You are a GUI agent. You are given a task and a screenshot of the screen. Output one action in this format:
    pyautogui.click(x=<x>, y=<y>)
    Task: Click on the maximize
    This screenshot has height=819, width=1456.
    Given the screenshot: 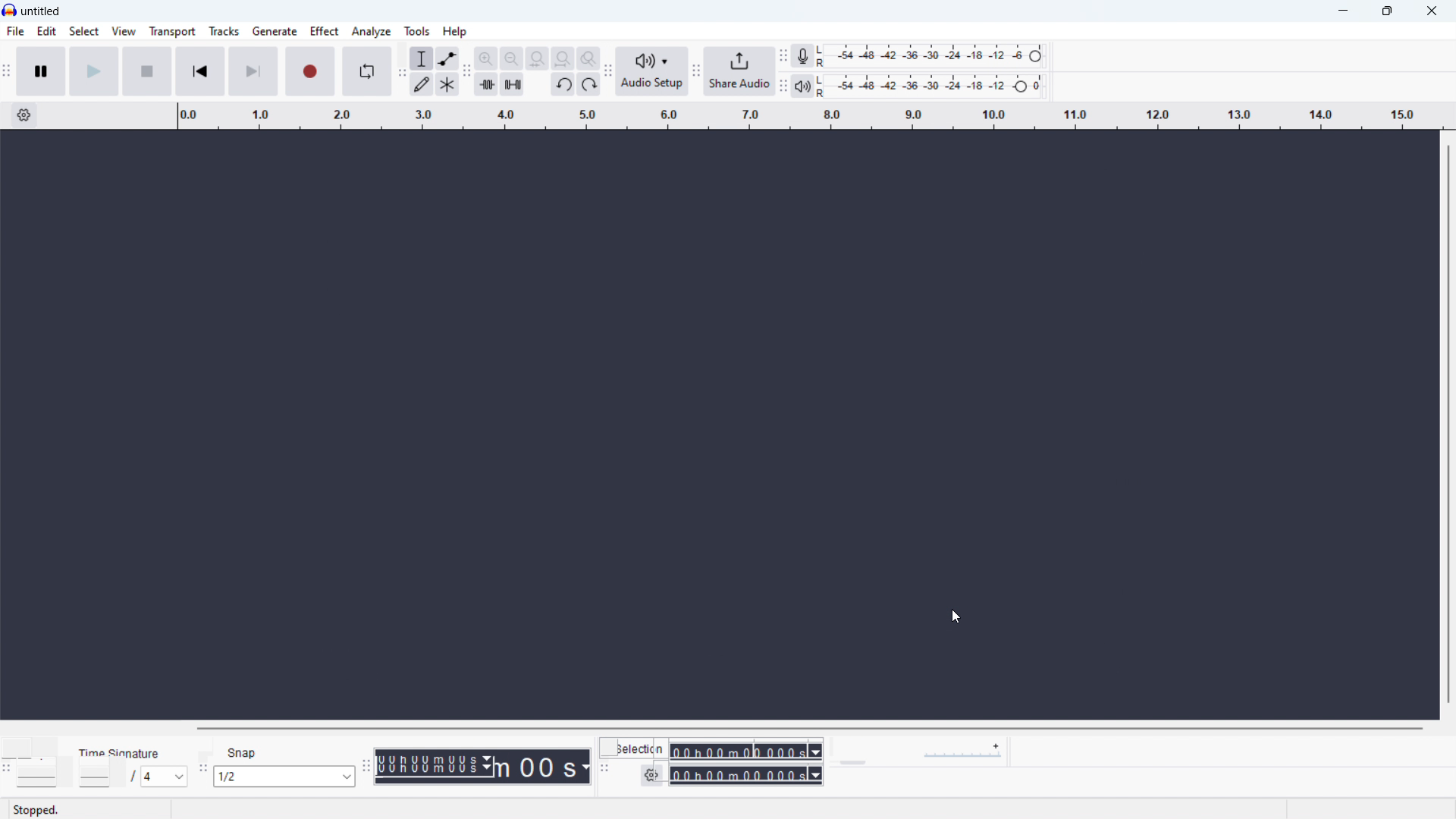 What is the action you would take?
    pyautogui.click(x=1387, y=11)
    